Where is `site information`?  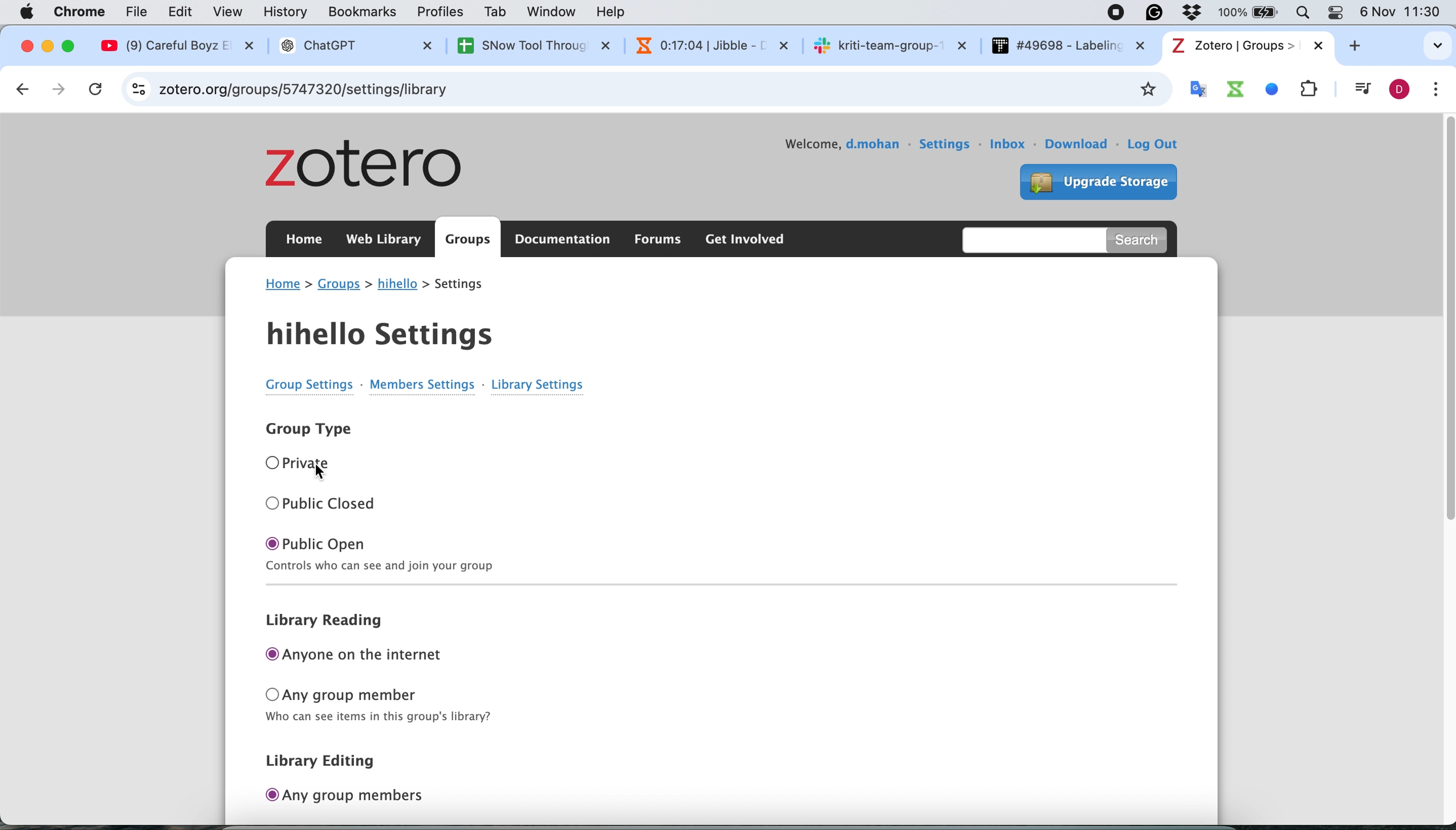 site information is located at coordinates (140, 88).